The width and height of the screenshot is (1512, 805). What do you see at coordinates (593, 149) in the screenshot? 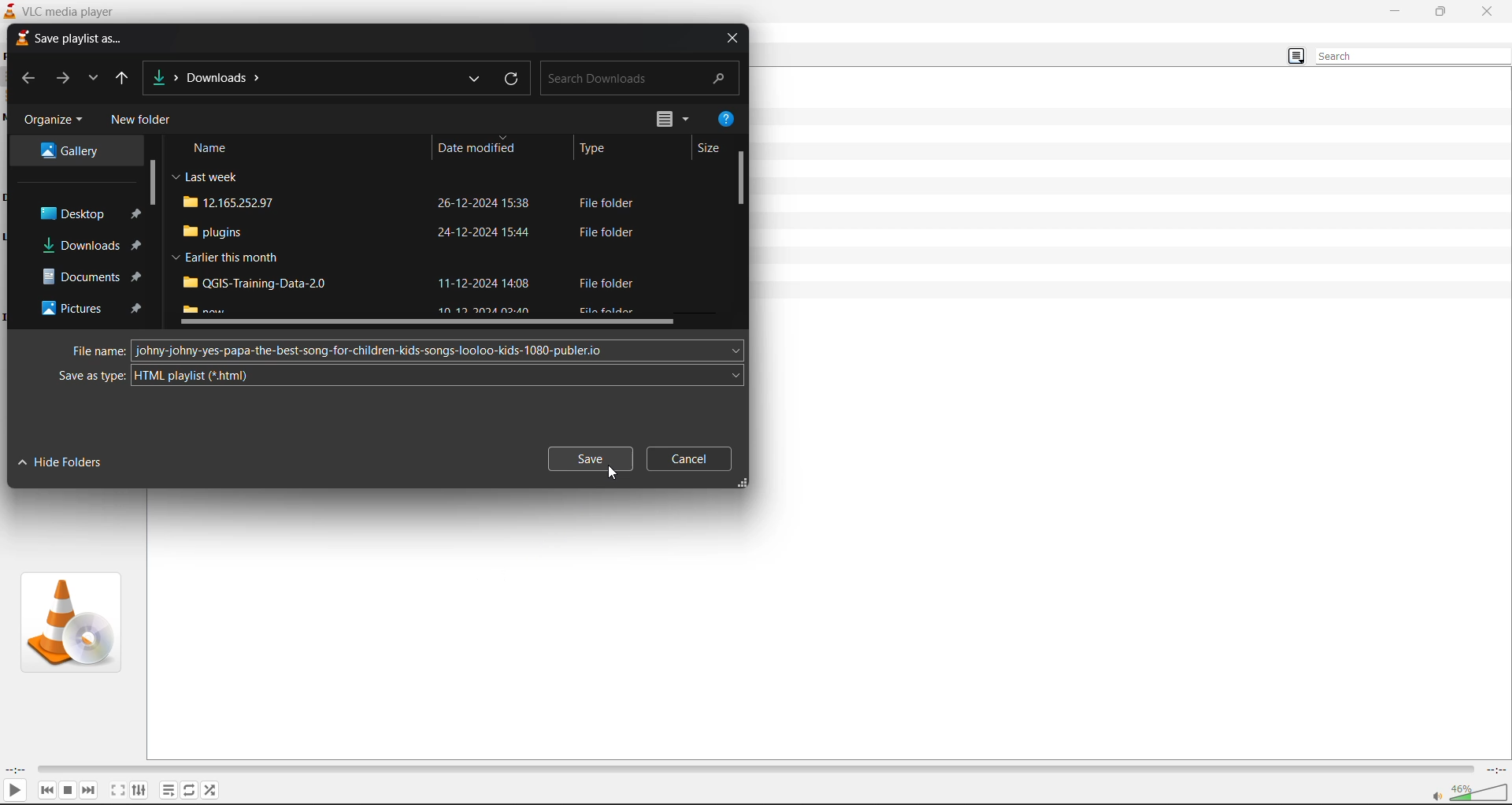
I see `type` at bounding box center [593, 149].